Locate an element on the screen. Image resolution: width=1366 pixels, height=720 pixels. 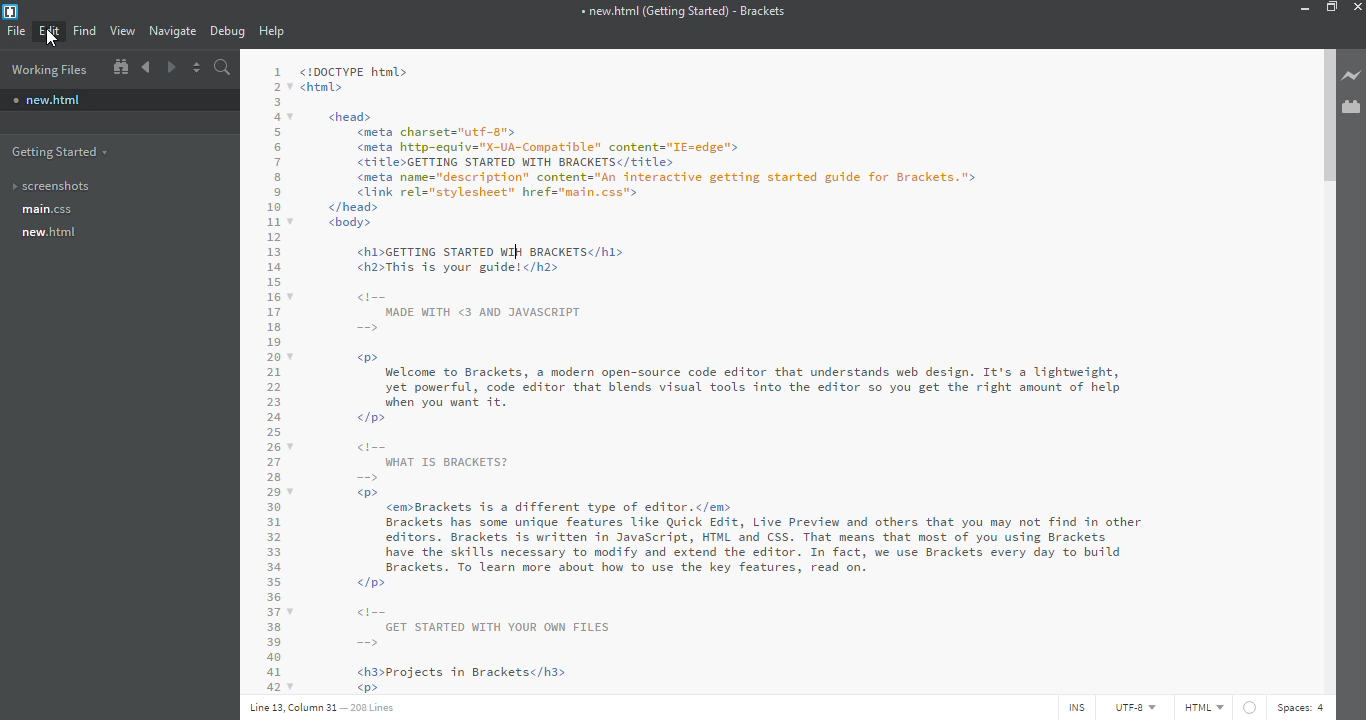
line 13, column 31- 208 lines is located at coordinates (325, 710).